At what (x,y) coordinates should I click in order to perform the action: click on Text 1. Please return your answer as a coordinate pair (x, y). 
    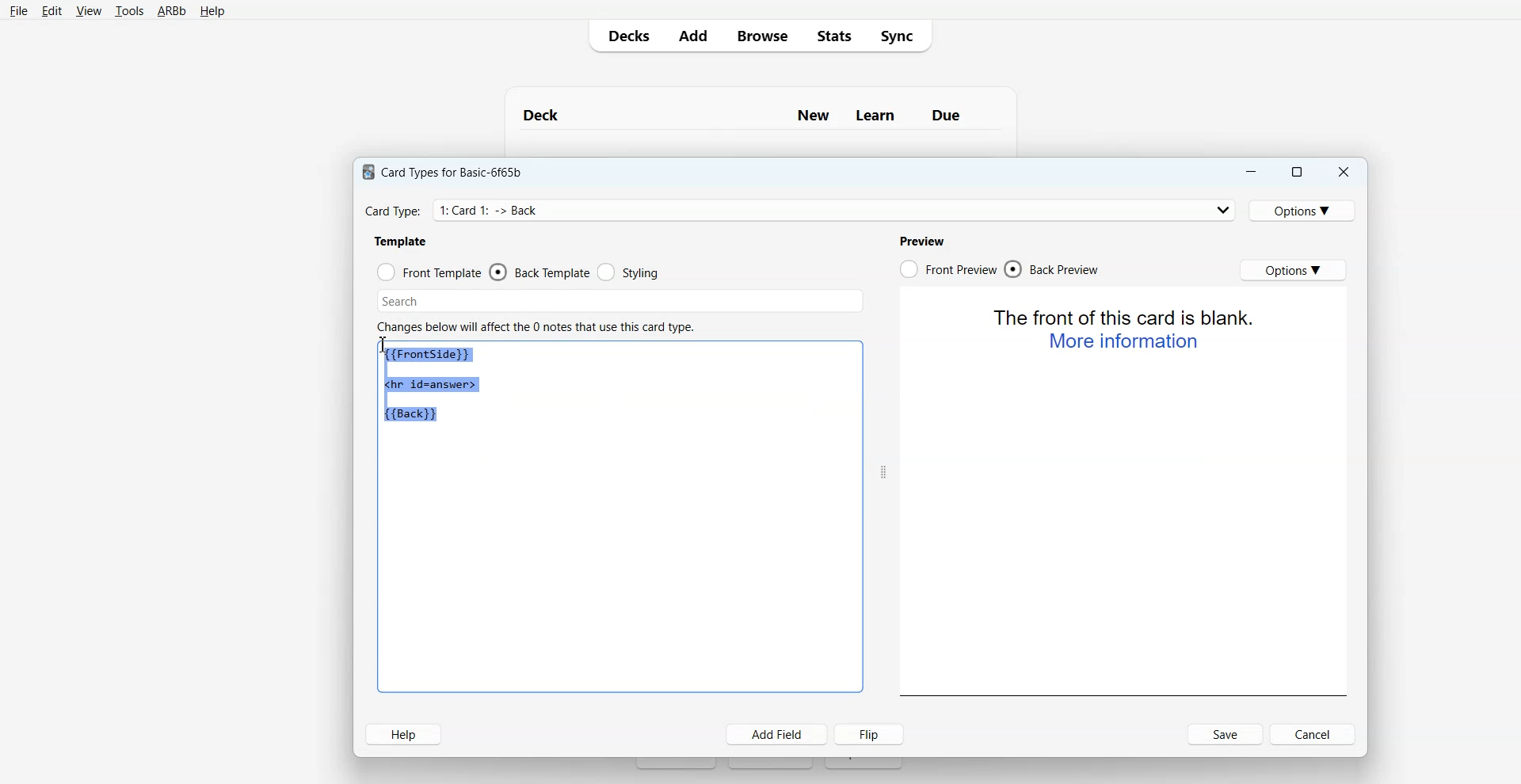
    Looking at the image, I should click on (444, 385).